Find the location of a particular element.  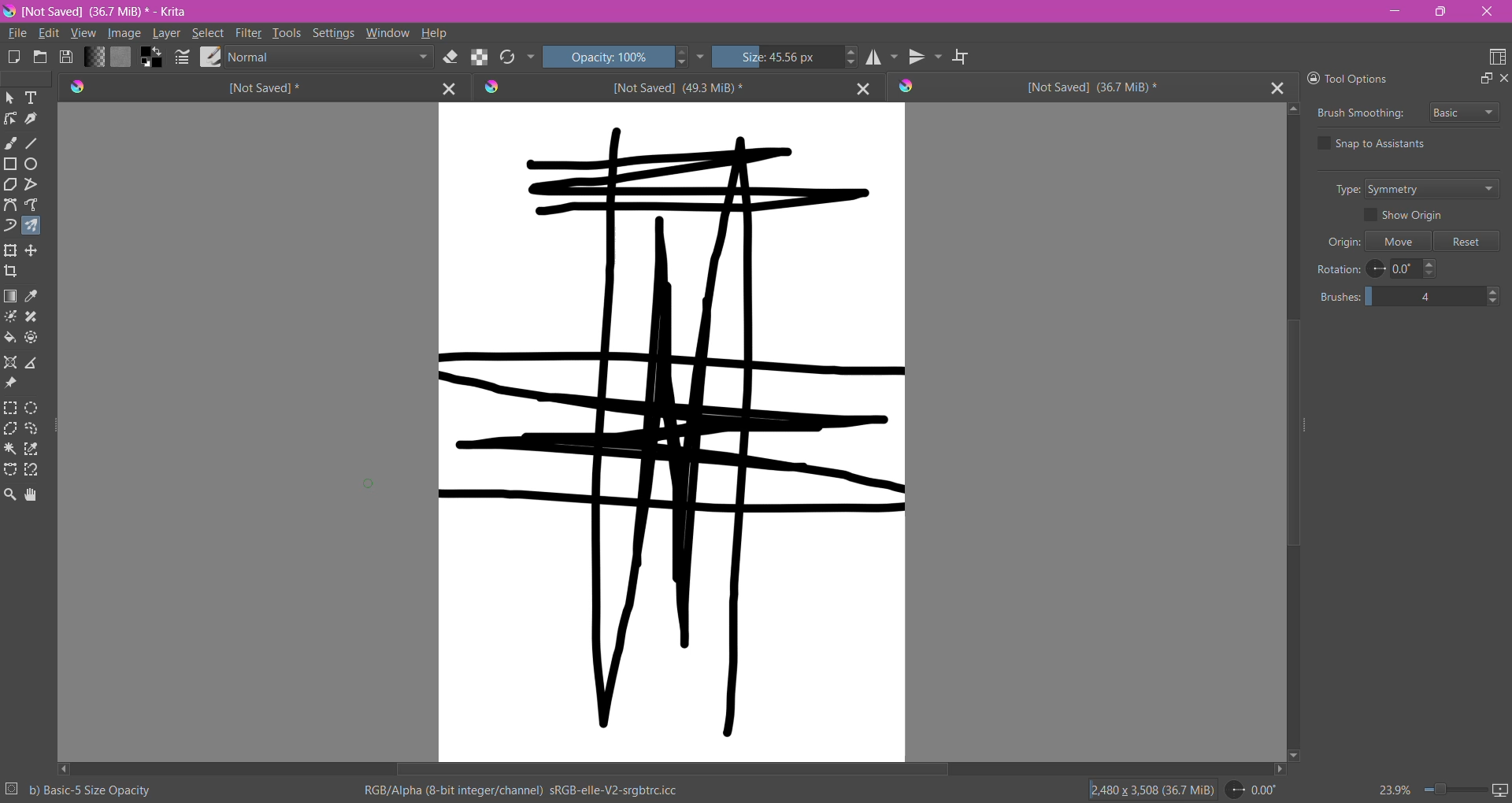

Set the number of brushes is located at coordinates (1403, 297).